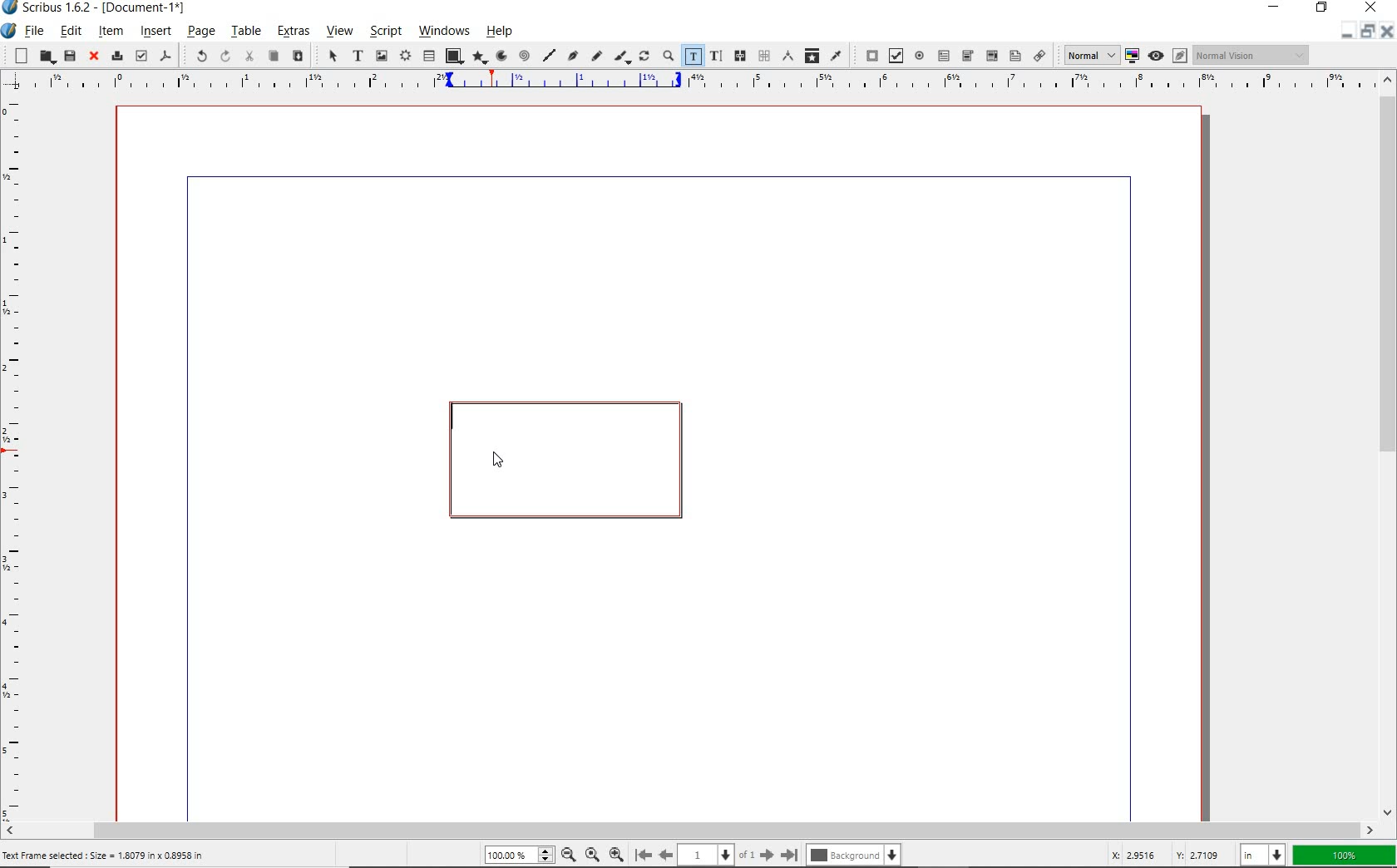 The image size is (1397, 868). What do you see at coordinates (141, 55) in the screenshot?
I see `preflight verifier` at bounding box center [141, 55].